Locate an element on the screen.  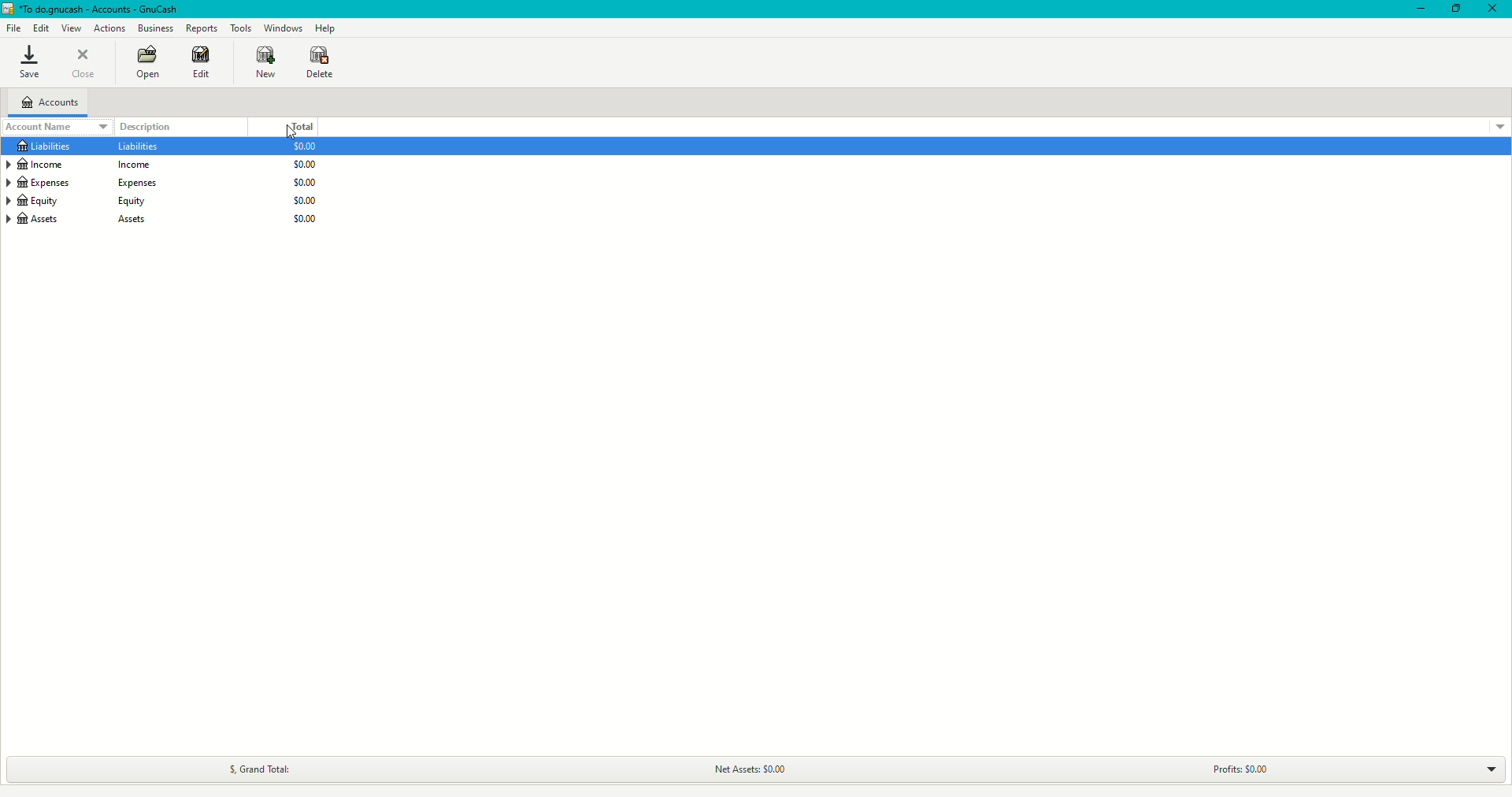
Accounts is located at coordinates (51, 100).